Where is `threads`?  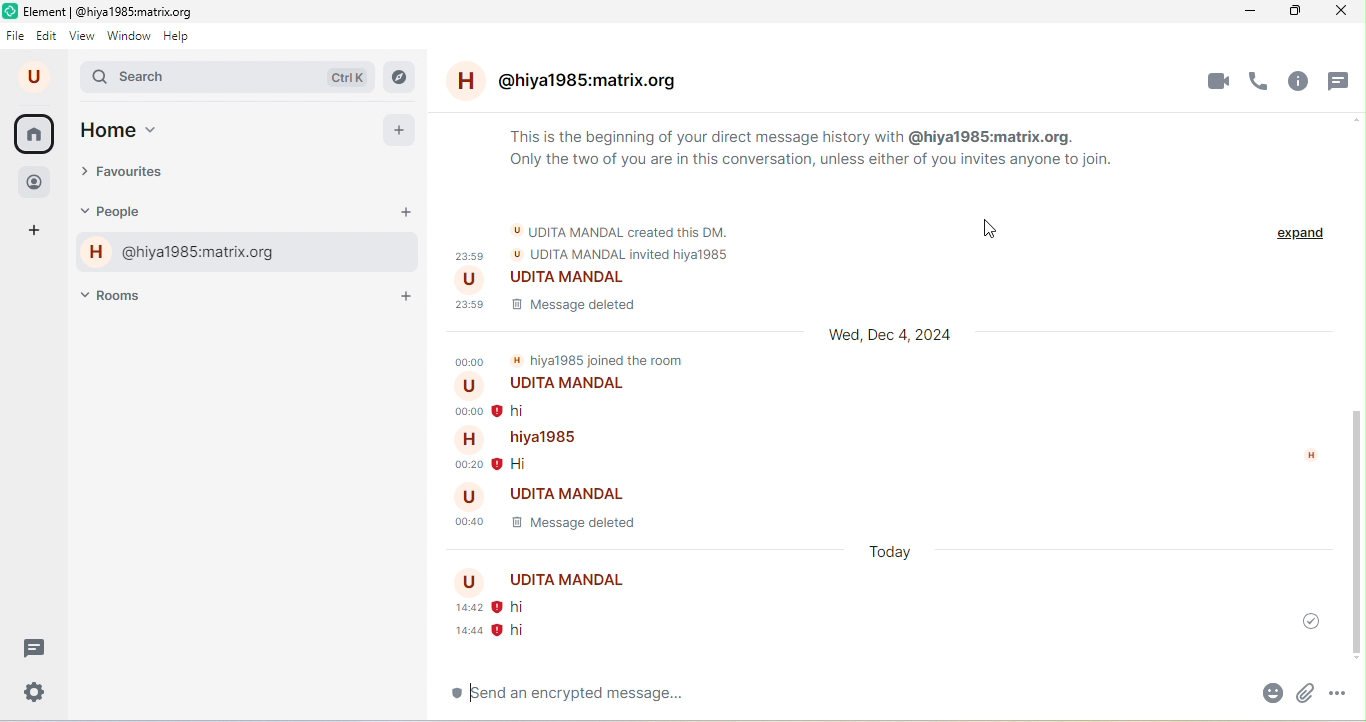 threads is located at coordinates (1342, 82).